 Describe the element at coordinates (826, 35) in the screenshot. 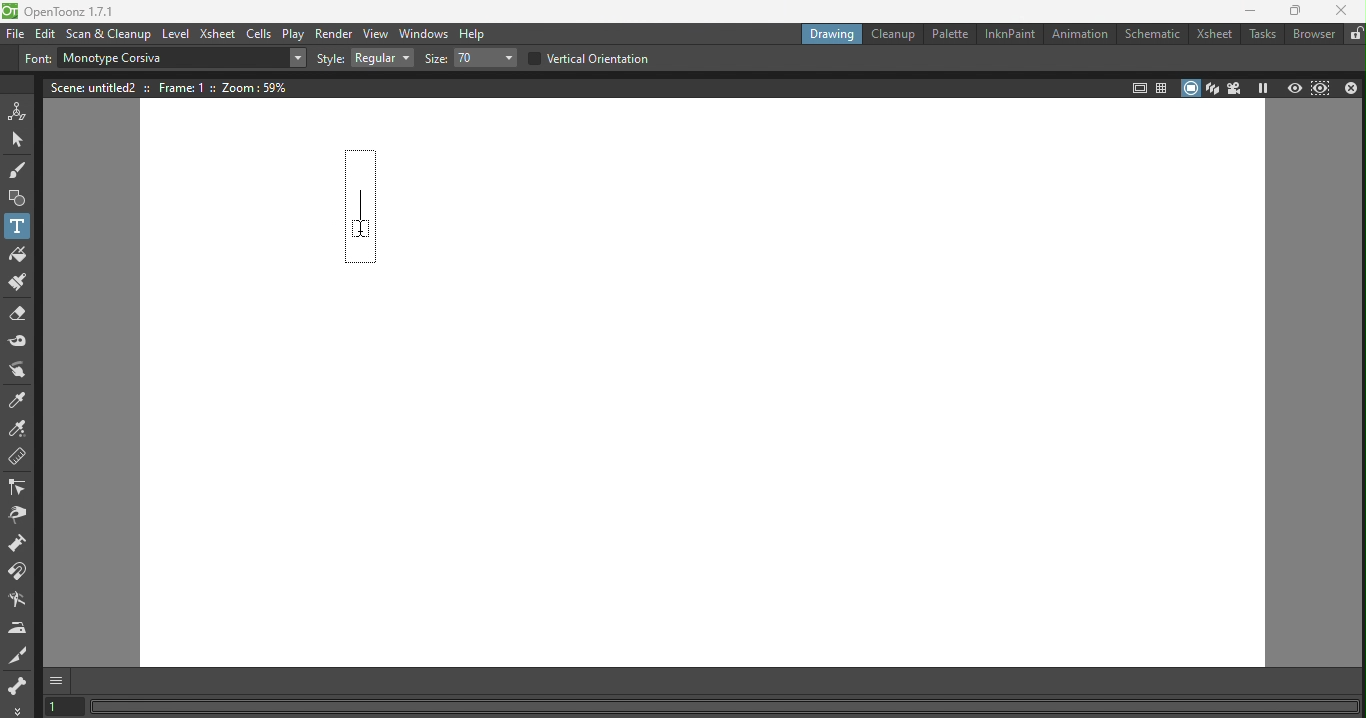

I see `Drawing` at that location.